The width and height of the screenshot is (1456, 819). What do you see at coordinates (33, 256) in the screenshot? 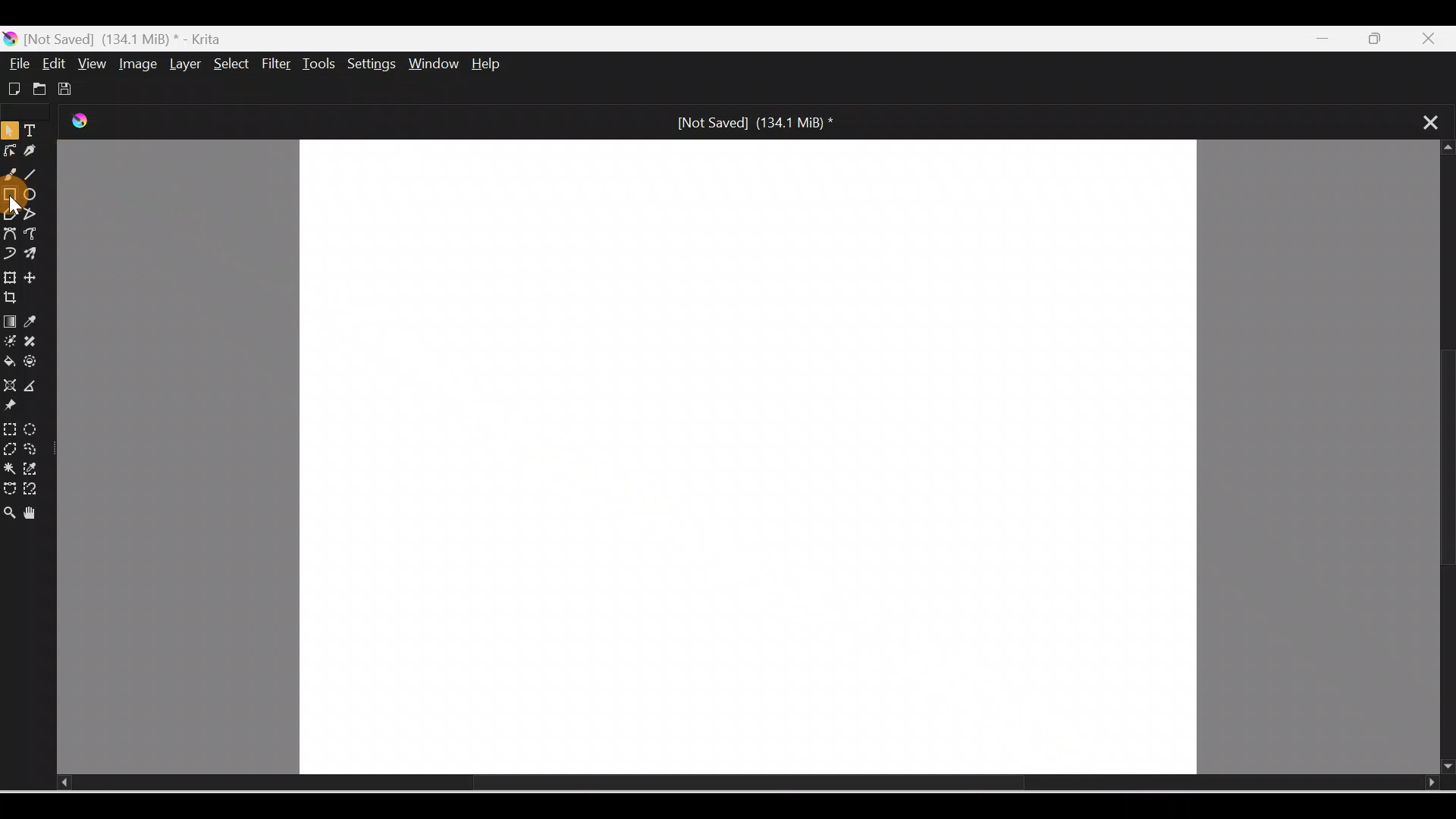
I see `Multibrush tool` at bounding box center [33, 256].